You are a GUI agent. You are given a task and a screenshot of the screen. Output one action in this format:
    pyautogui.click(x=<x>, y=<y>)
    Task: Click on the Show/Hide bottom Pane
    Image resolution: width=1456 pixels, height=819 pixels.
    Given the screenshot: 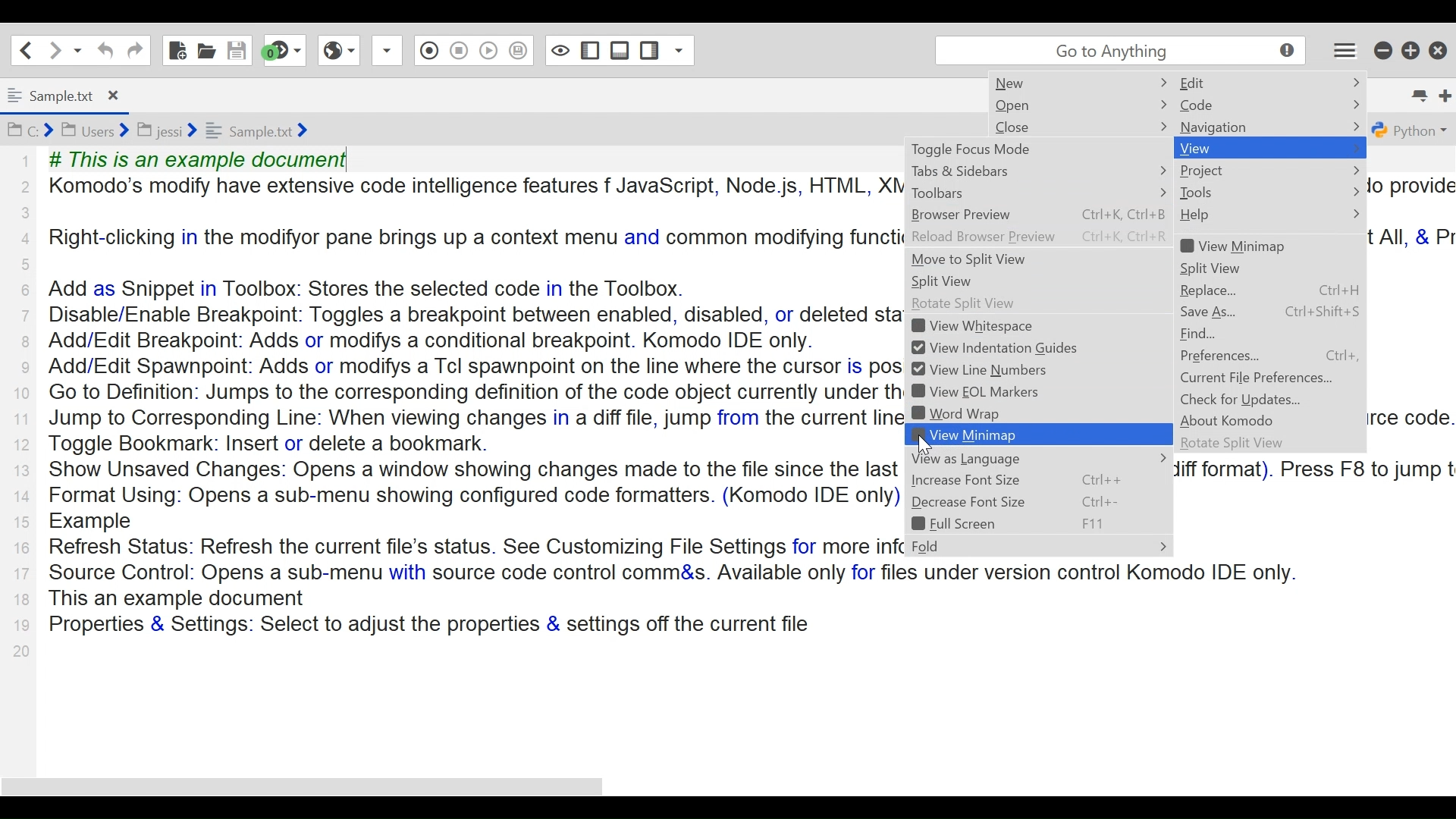 What is the action you would take?
    pyautogui.click(x=588, y=50)
    